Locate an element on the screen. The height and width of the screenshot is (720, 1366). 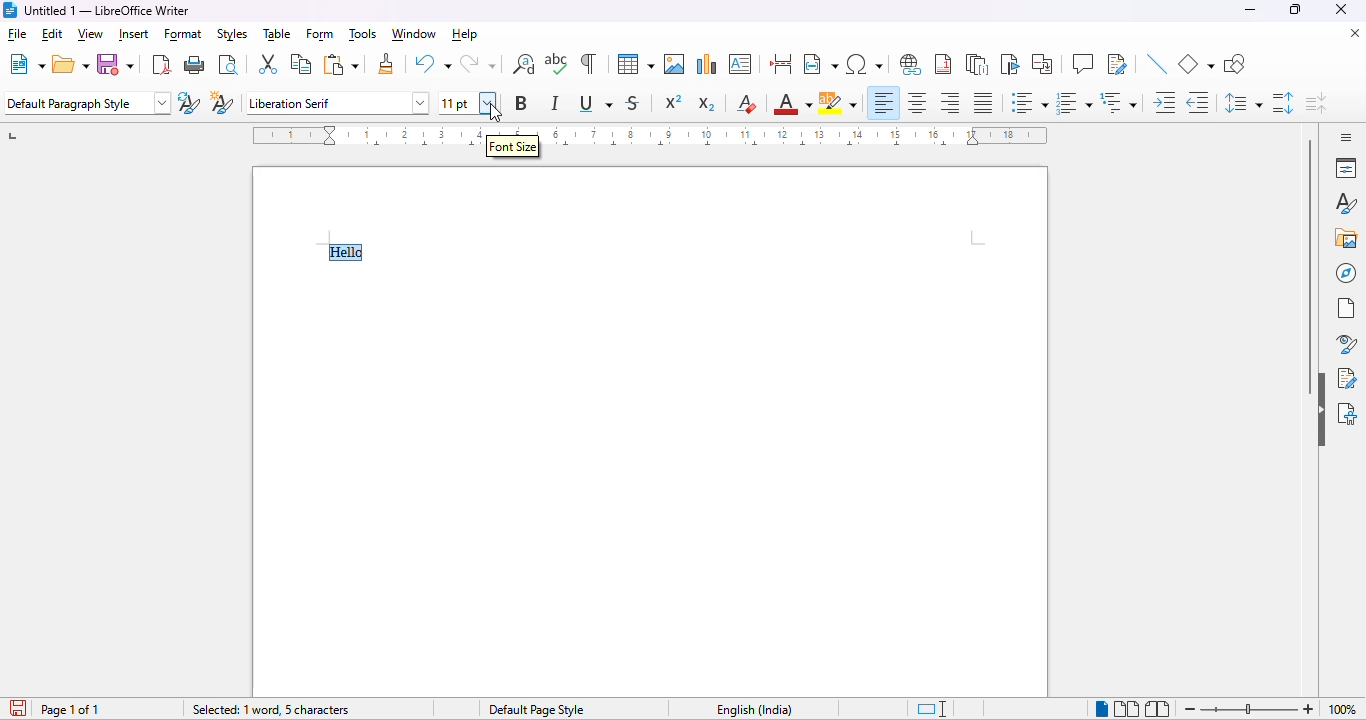
window is located at coordinates (415, 35).